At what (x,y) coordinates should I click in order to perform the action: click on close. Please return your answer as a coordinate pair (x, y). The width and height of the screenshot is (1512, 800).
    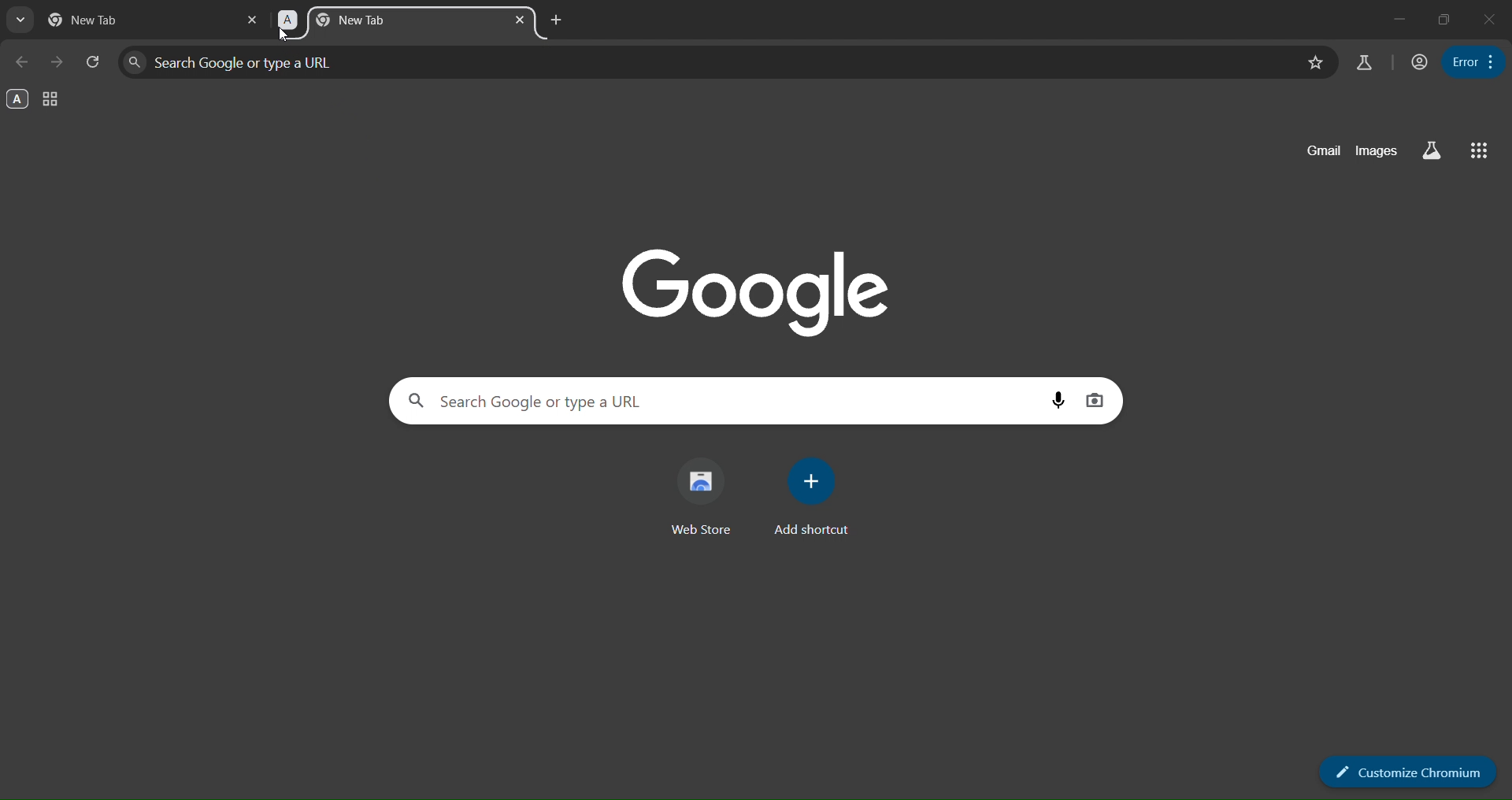
    Looking at the image, I should click on (1490, 17).